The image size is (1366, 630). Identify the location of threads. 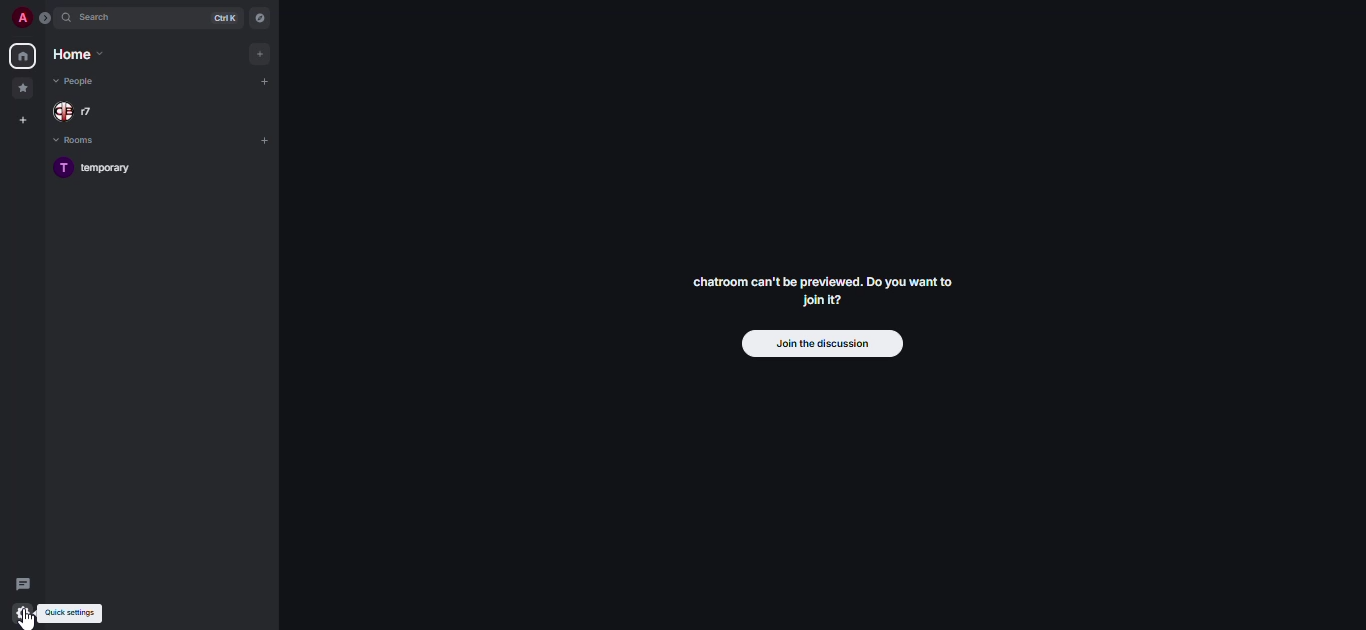
(23, 585).